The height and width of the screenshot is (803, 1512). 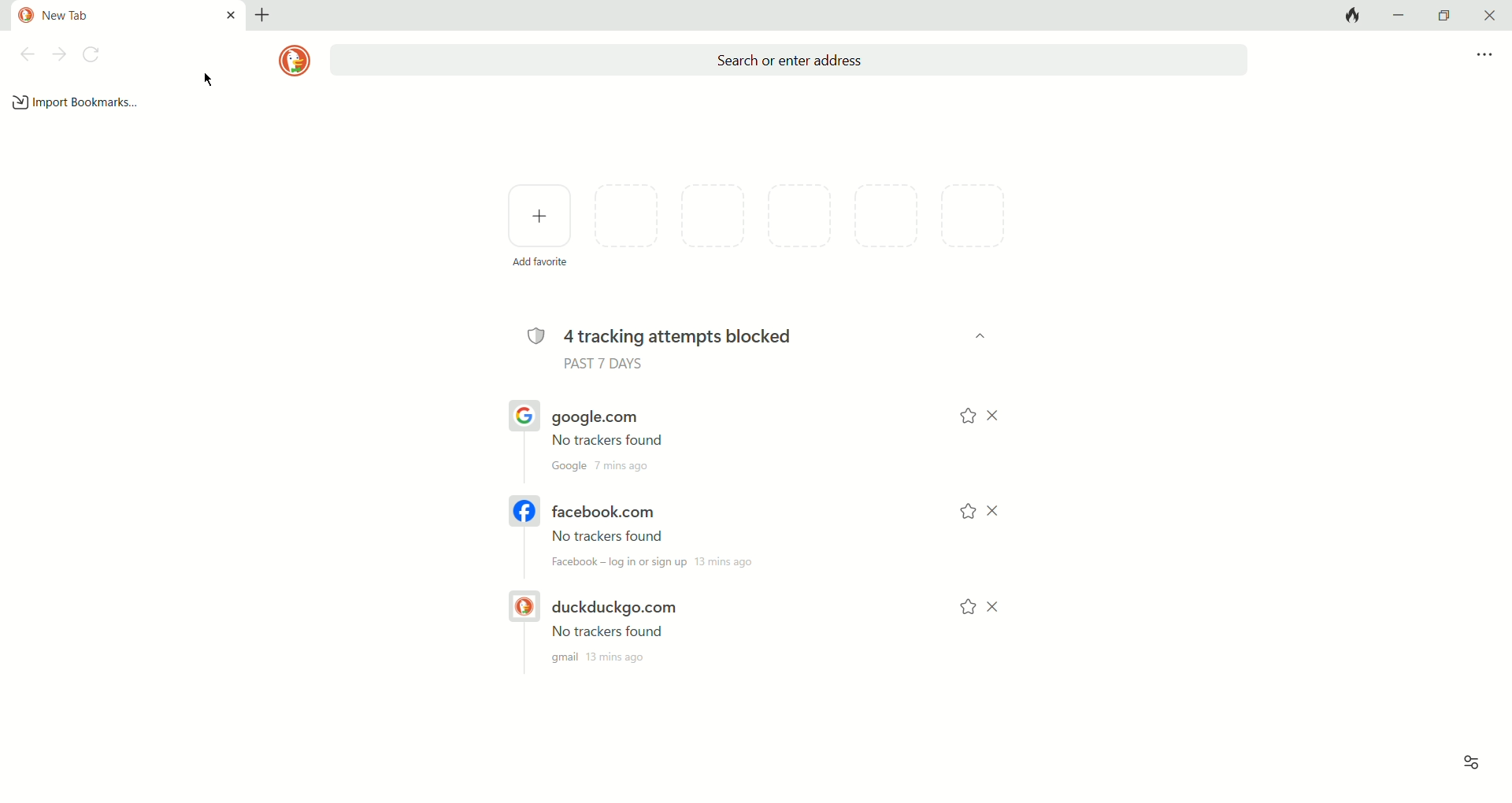 What do you see at coordinates (660, 348) in the screenshot?
I see `4 tracking attempts blocked` at bounding box center [660, 348].